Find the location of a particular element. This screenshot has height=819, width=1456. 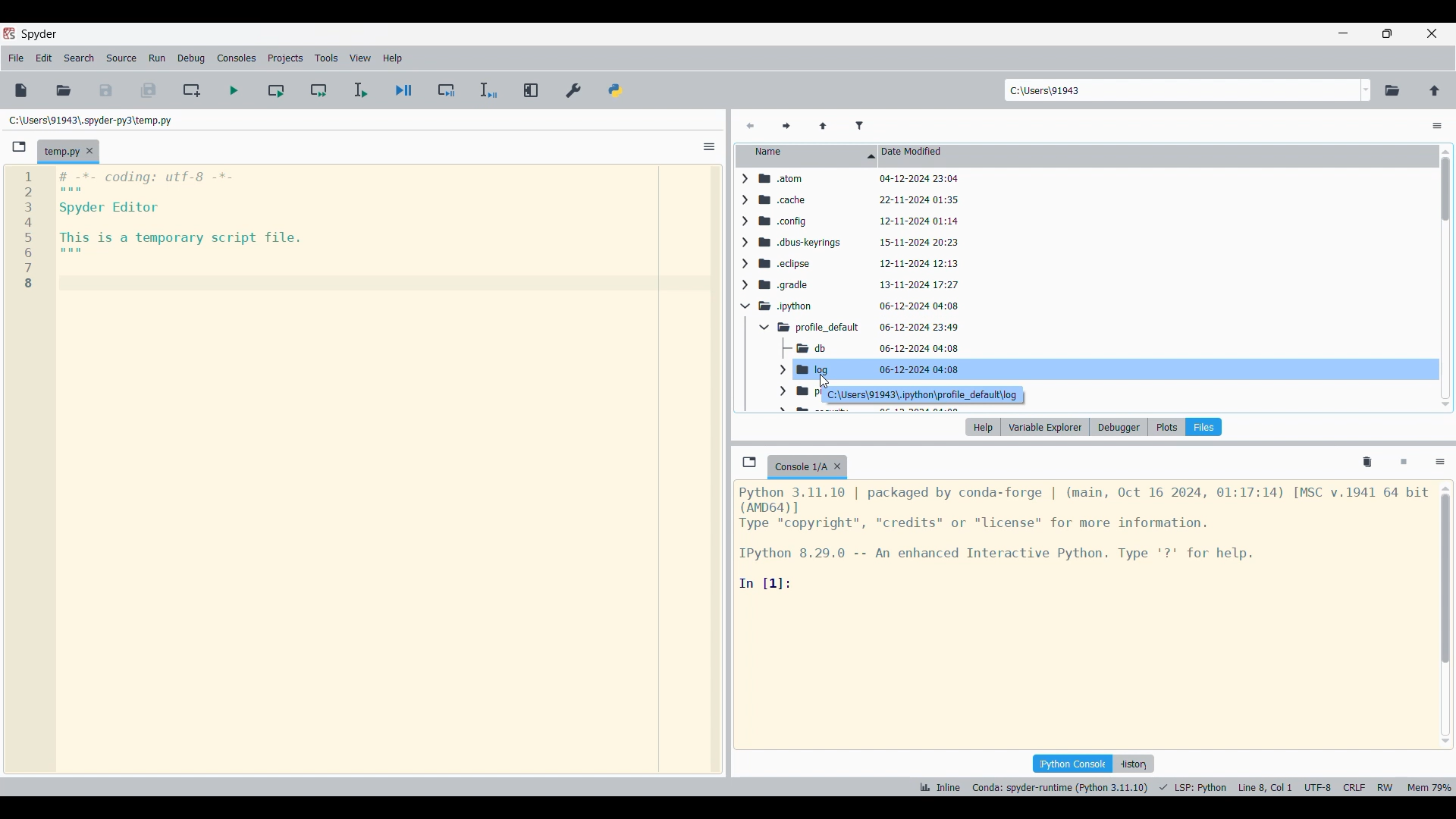

History is located at coordinates (1133, 764).